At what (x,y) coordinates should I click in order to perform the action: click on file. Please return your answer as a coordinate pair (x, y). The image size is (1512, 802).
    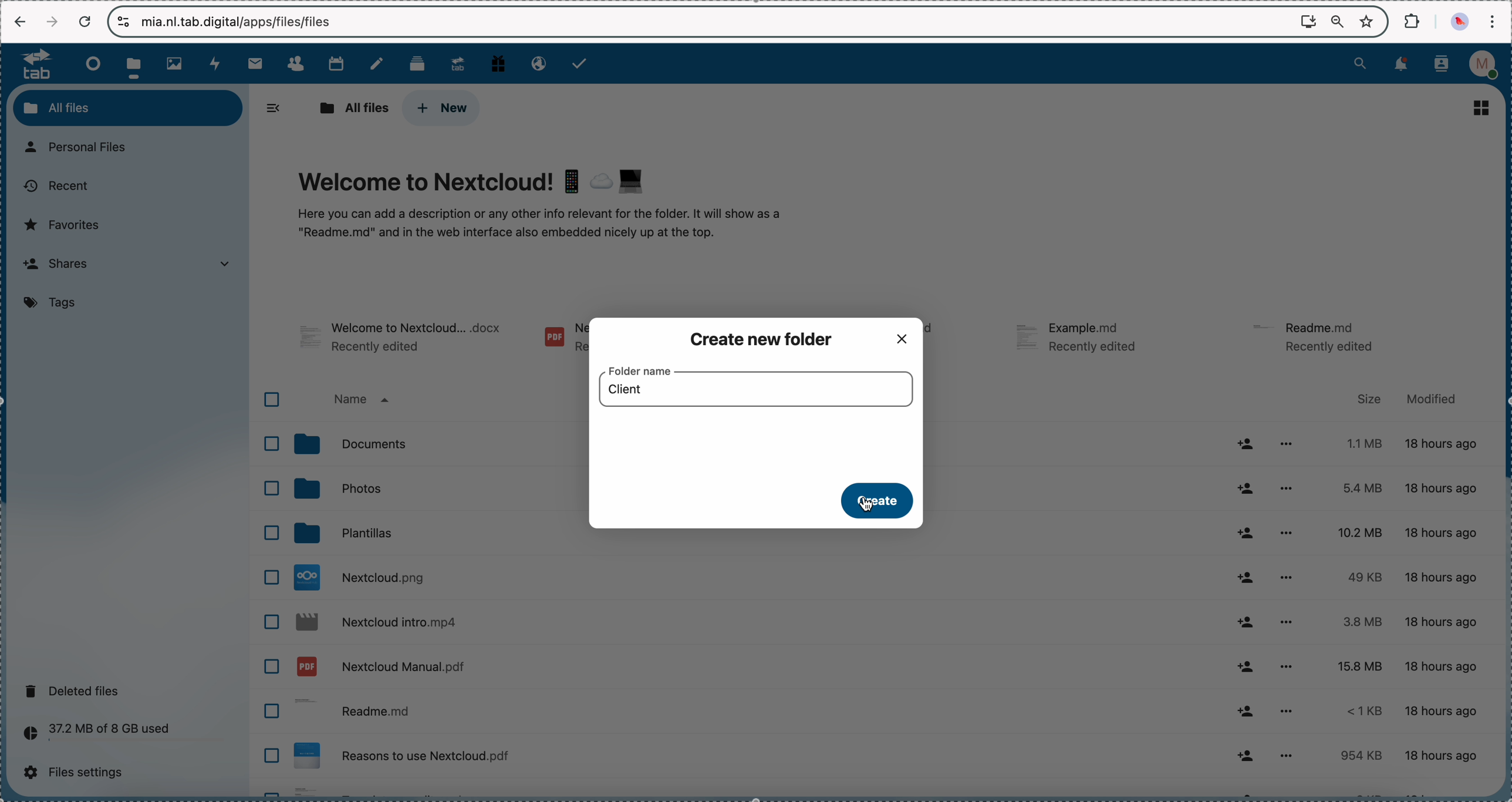
    Looking at the image, I should click on (751, 577).